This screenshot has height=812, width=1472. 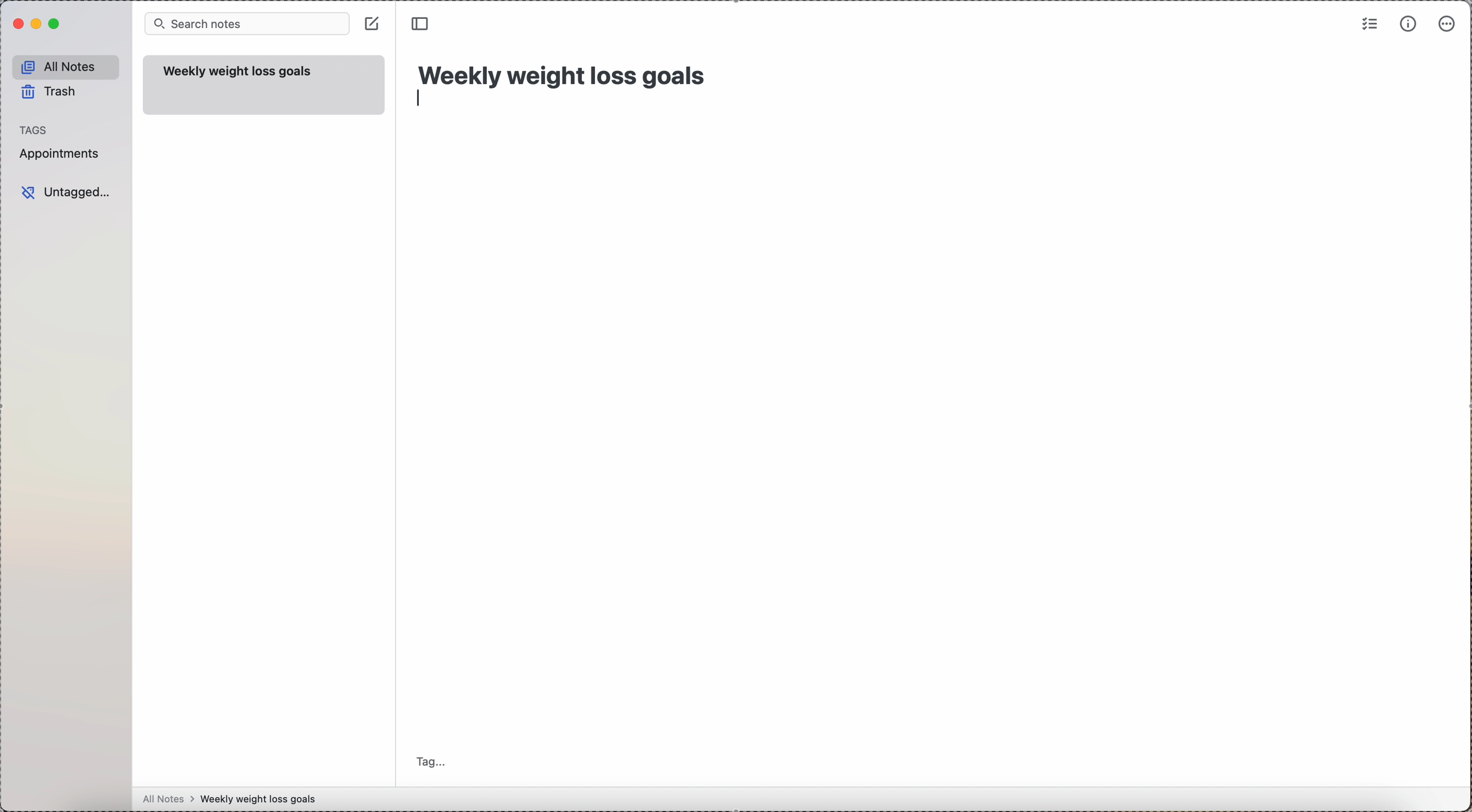 I want to click on all notes > weekly weight loss goals, so click(x=234, y=799).